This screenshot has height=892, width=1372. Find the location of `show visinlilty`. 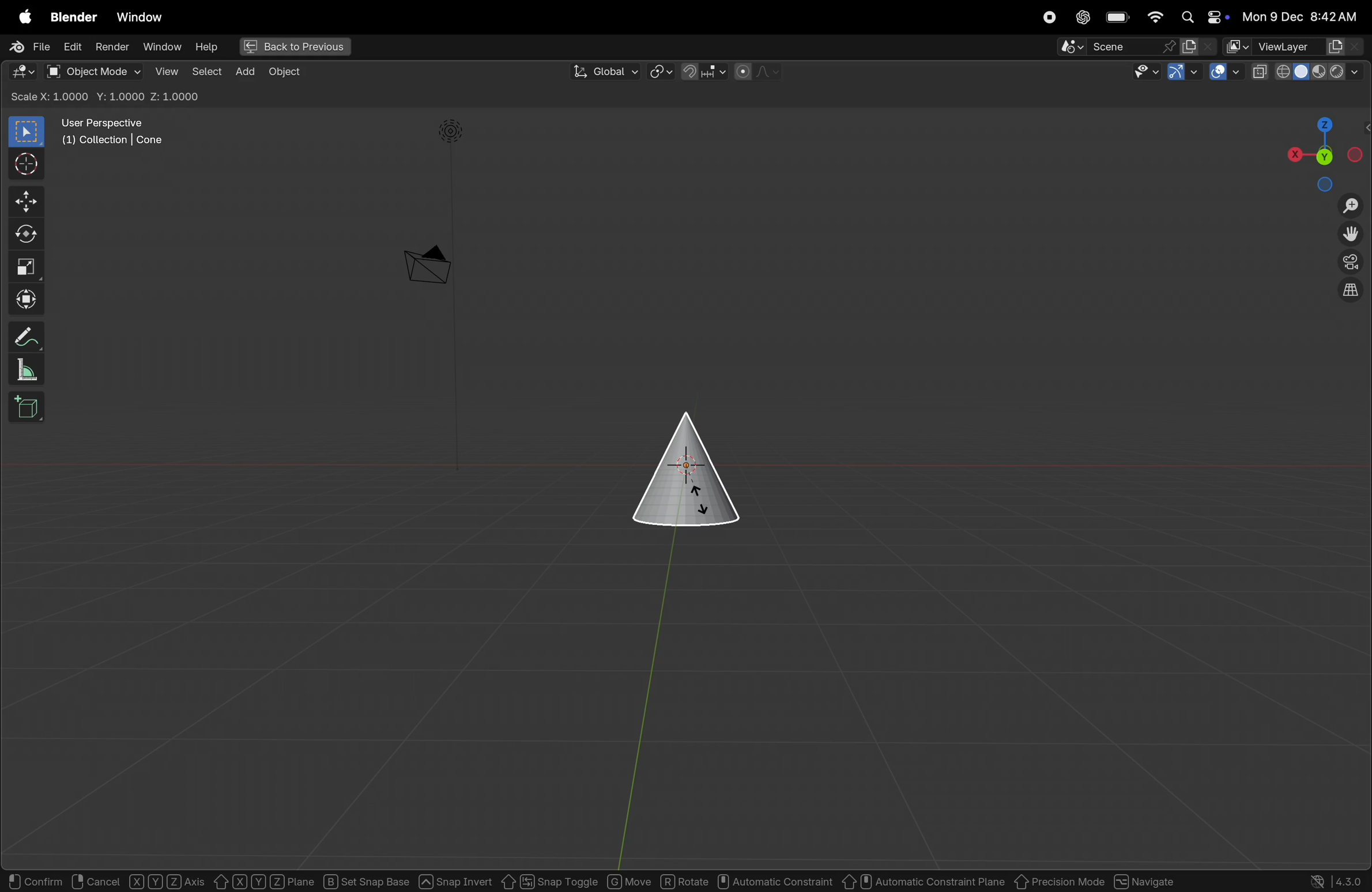

show visinlilty is located at coordinates (1147, 72).